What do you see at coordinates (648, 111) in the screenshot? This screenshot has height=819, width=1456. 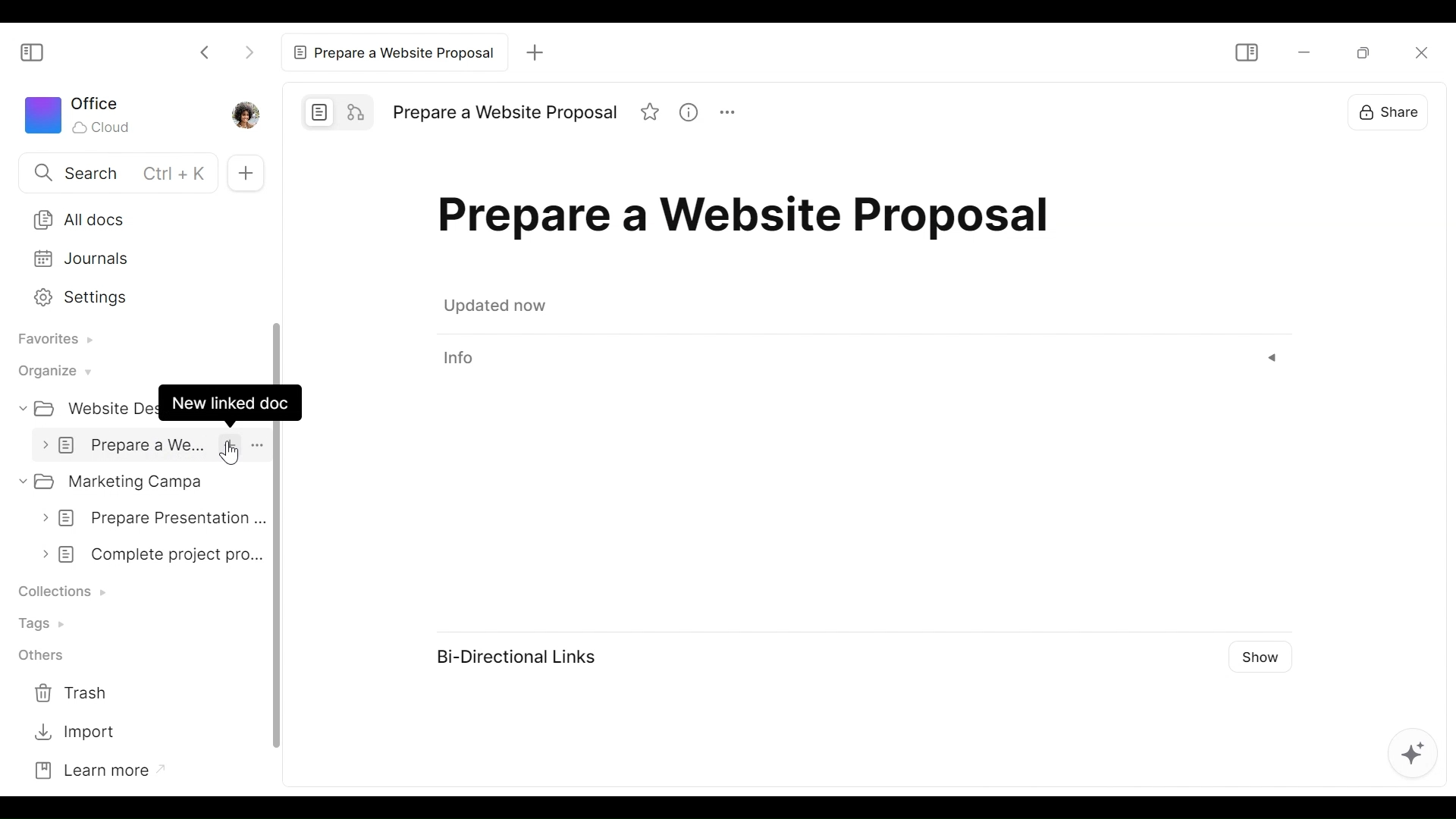 I see `Favorite` at bounding box center [648, 111].